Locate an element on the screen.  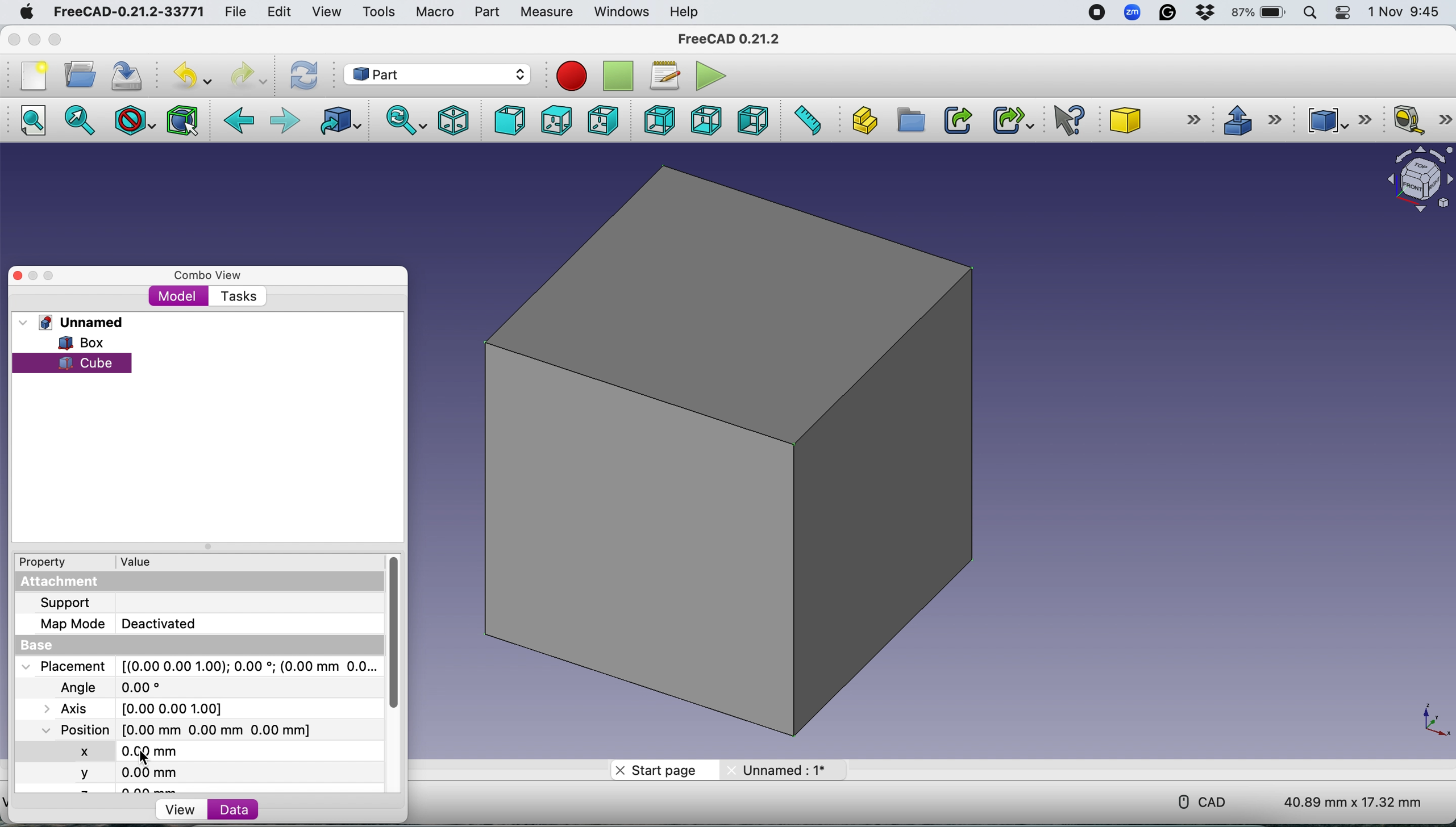
Base is located at coordinates (47, 645).